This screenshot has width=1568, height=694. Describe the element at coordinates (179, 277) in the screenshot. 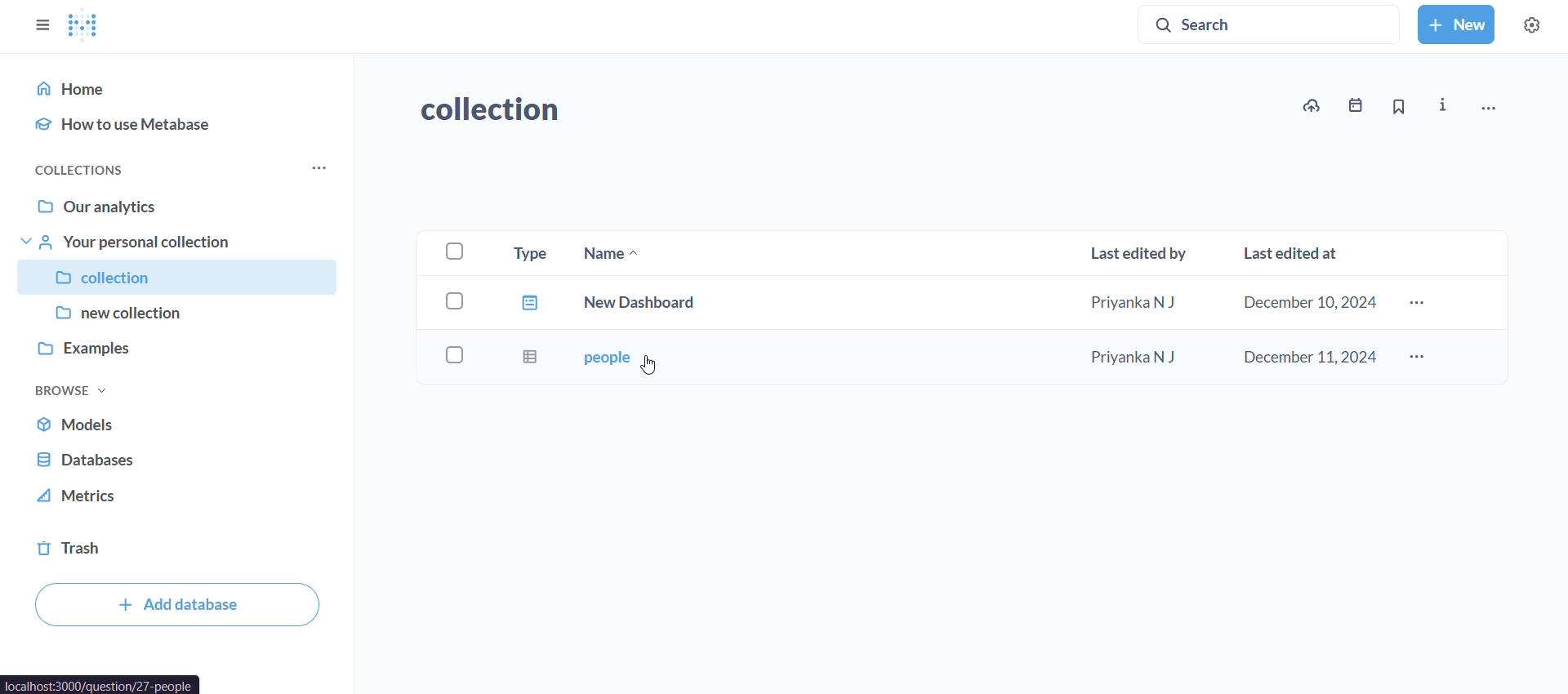

I see `collection` at that location.